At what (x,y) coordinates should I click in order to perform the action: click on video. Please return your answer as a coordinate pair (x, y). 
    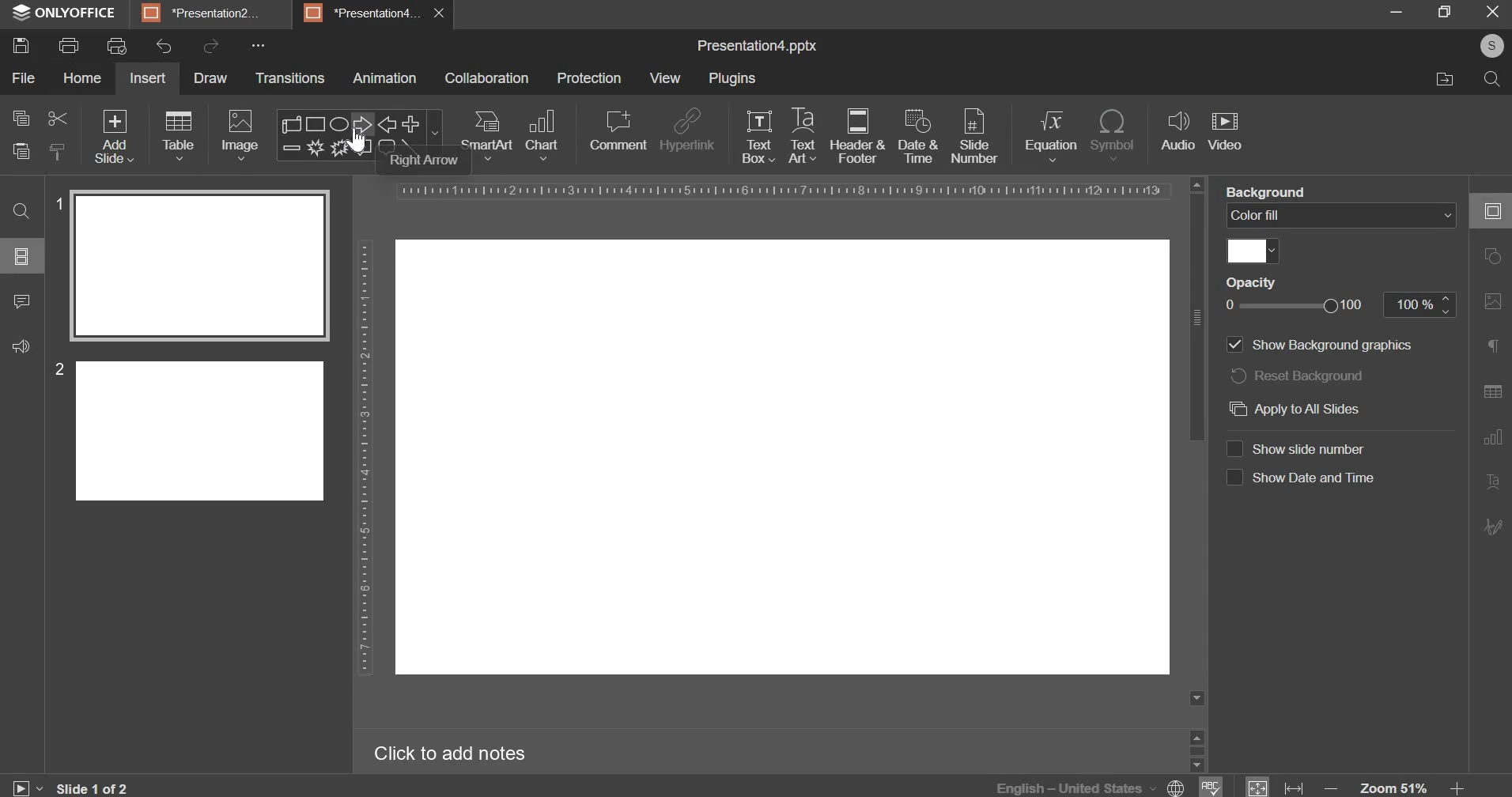
    Looking at the image, I should click on (1225, 130).